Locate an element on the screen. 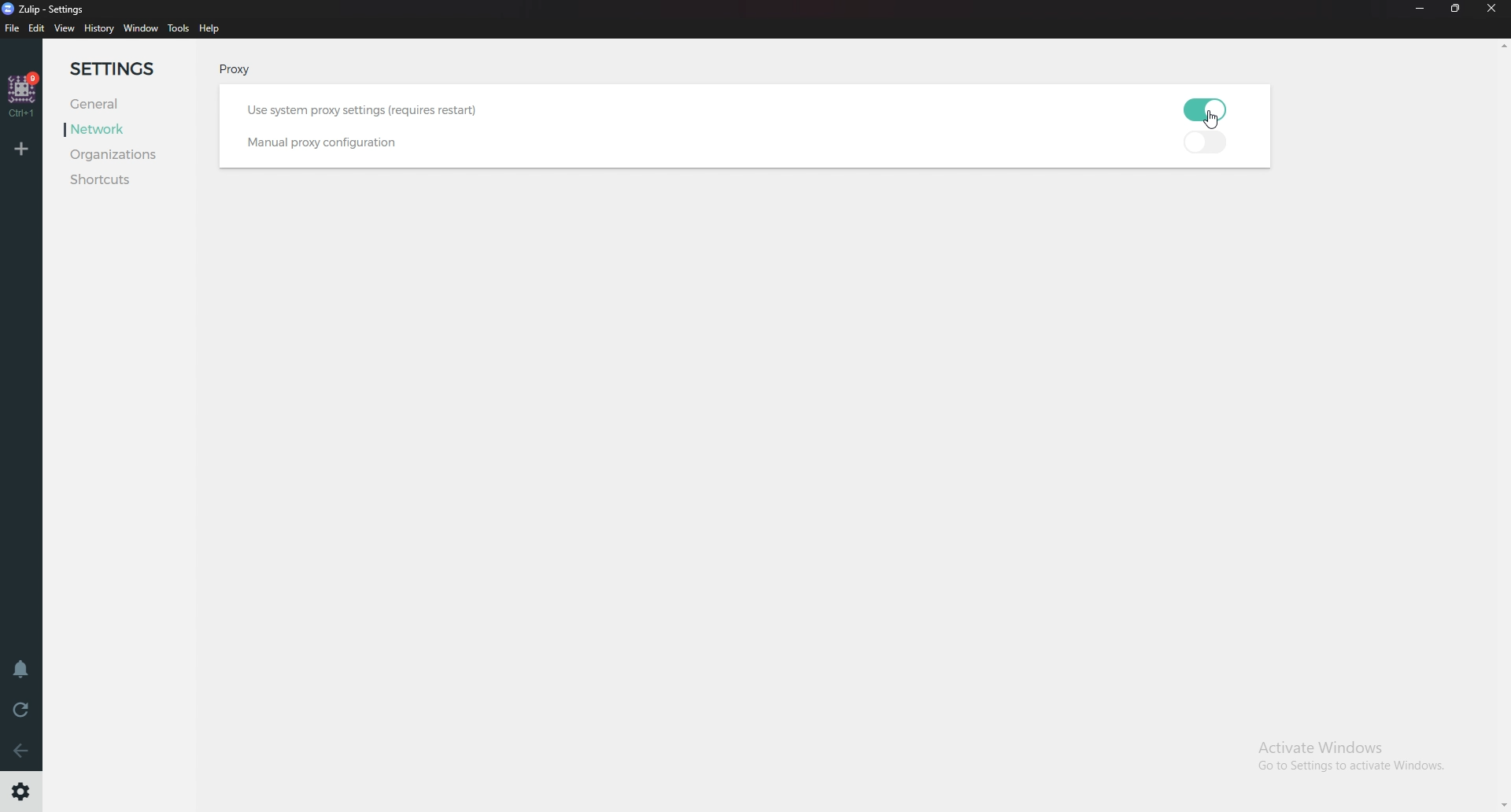 The height and width of the screenshot is (812, 1511). close is located at coordinates (1492, 9).